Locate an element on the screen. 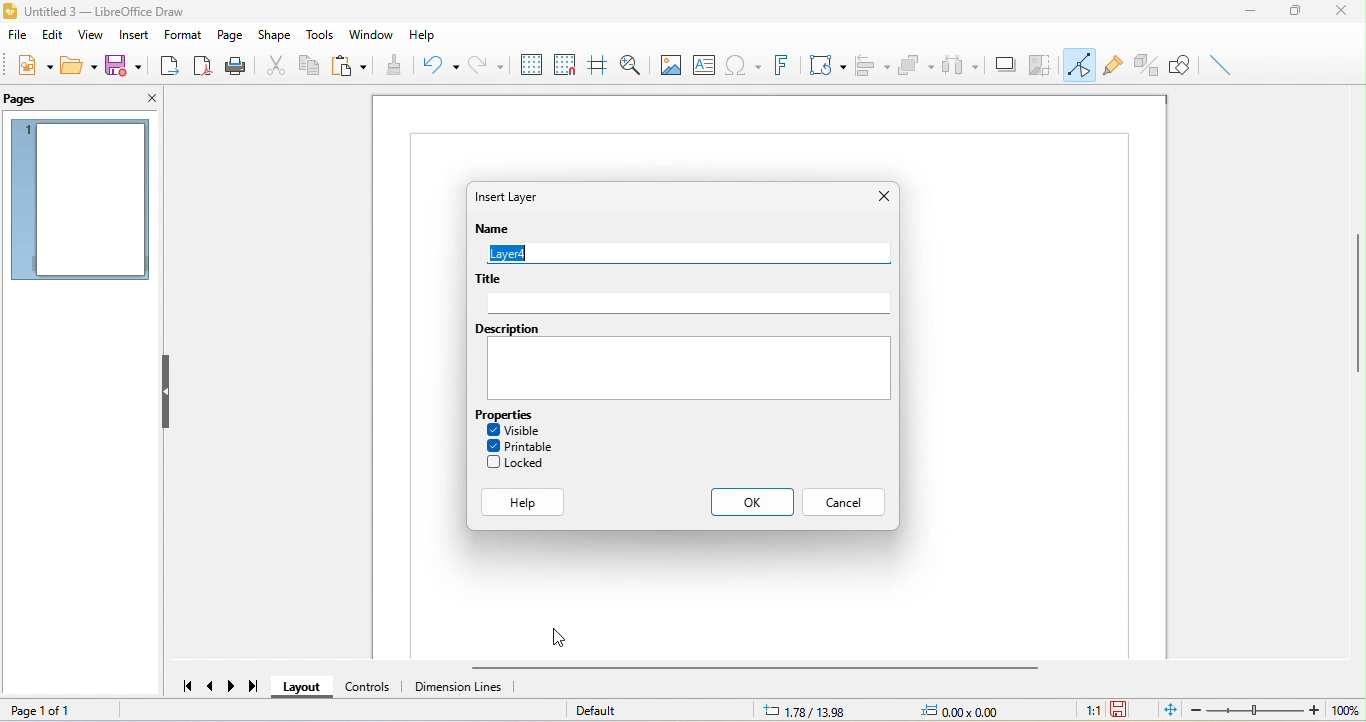 The height and width of the screenshot is (722, 1366). properties is located at coordinates (508, 414).